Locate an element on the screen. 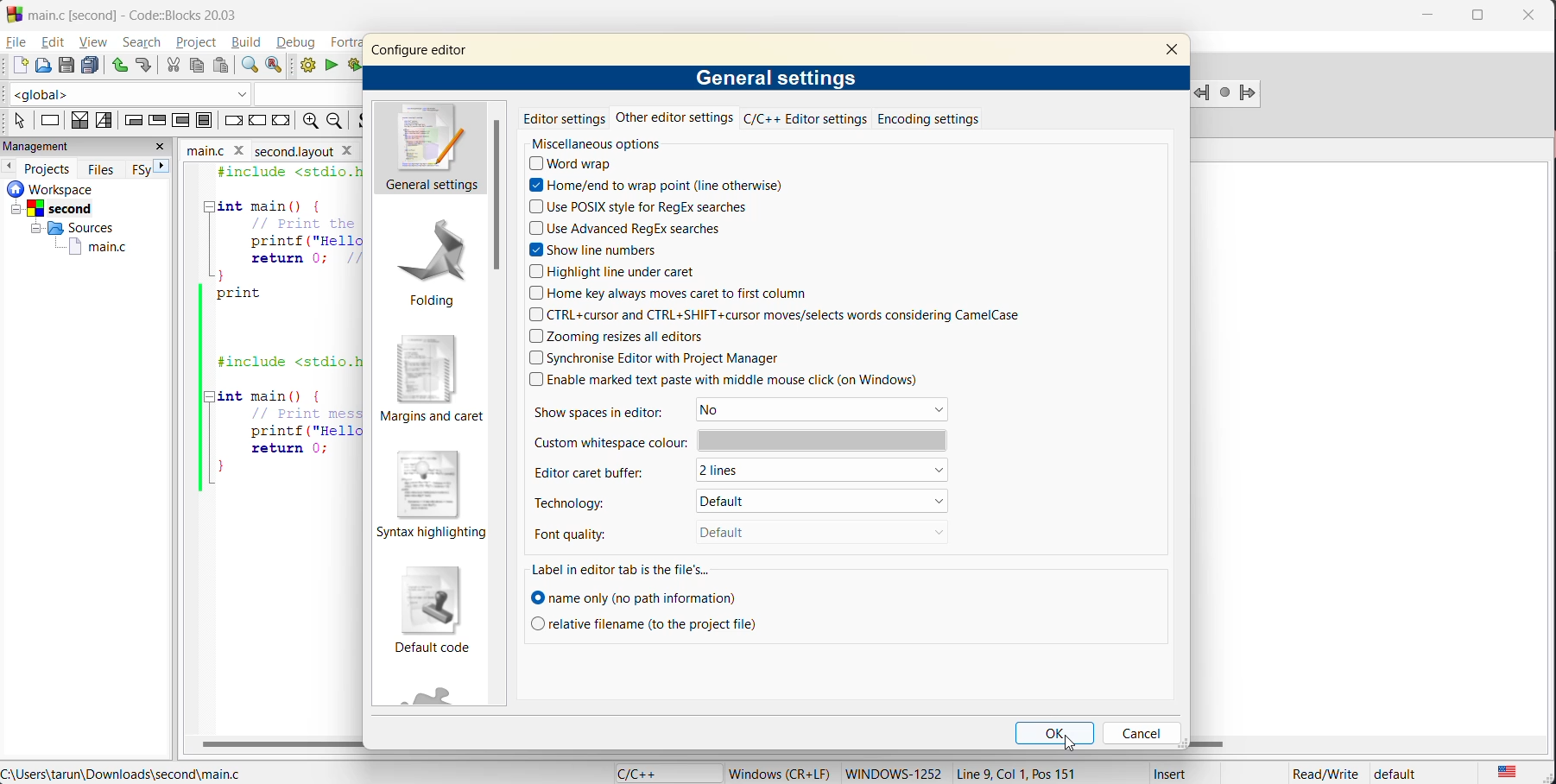  label in editor tab is the file's is located at coordinates (628, 570).